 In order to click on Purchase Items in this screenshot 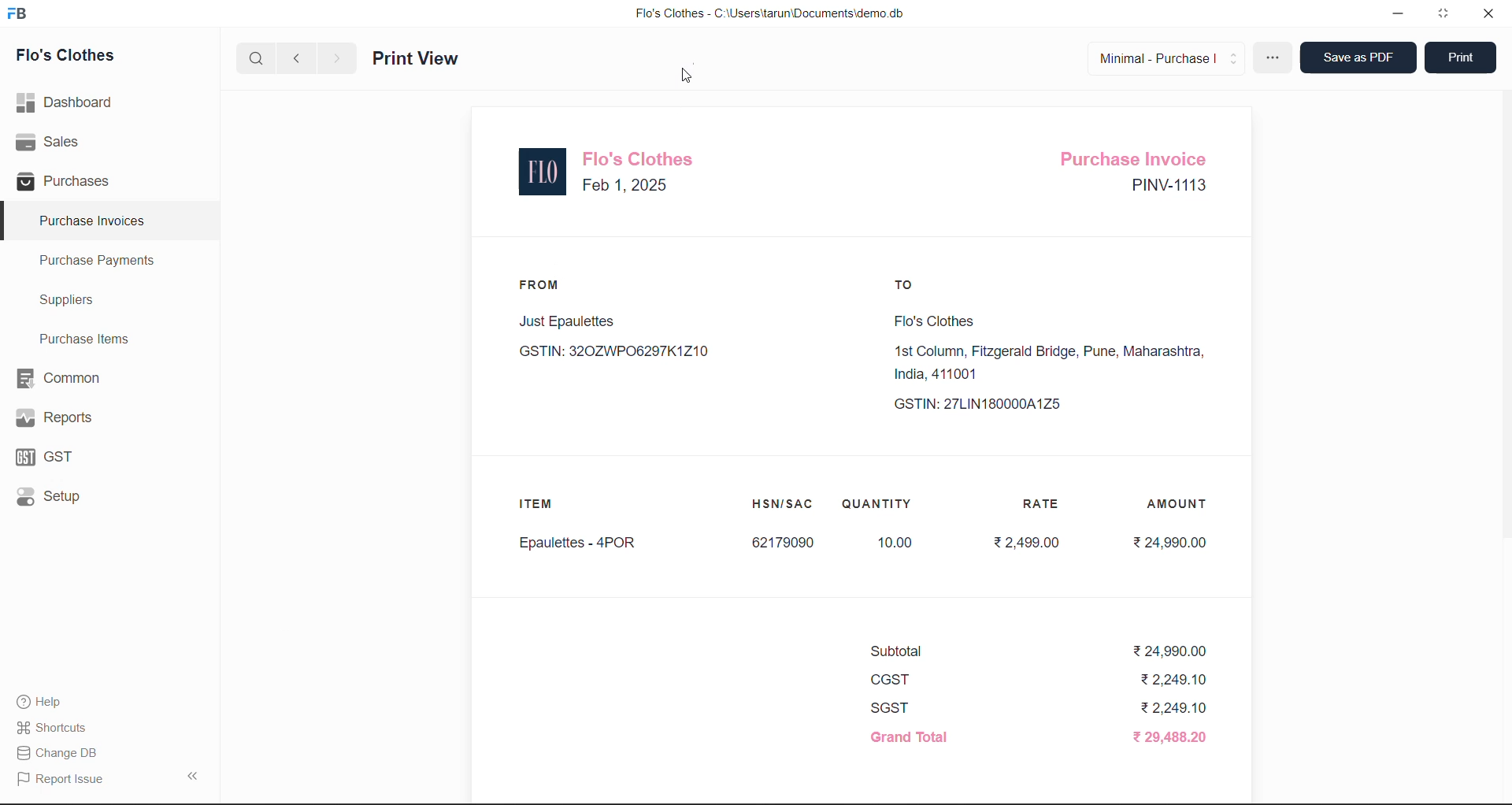, I will do `click(89, 338)`.